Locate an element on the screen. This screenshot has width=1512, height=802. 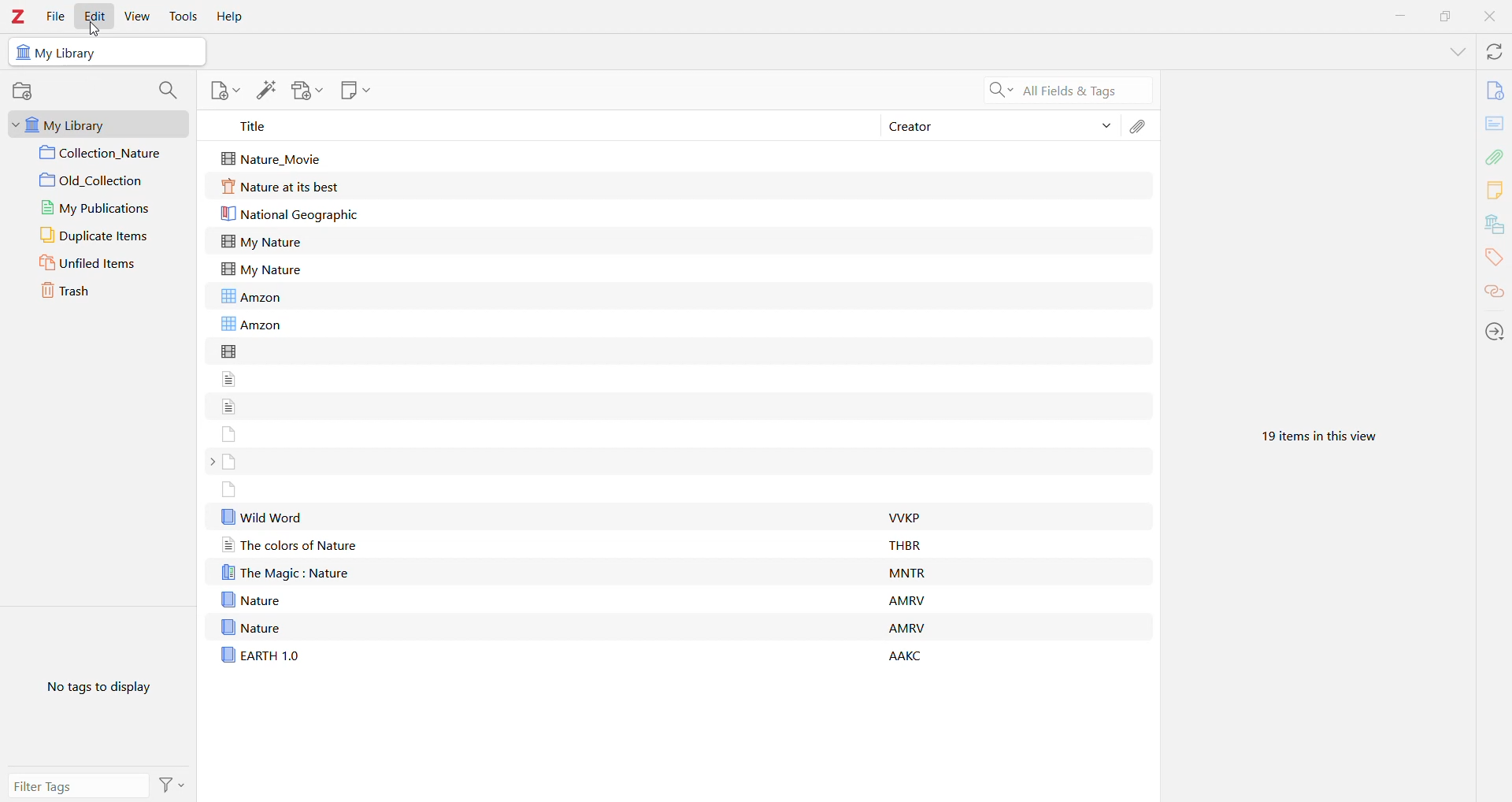
Wild Word is located at coordinates (262, 516).